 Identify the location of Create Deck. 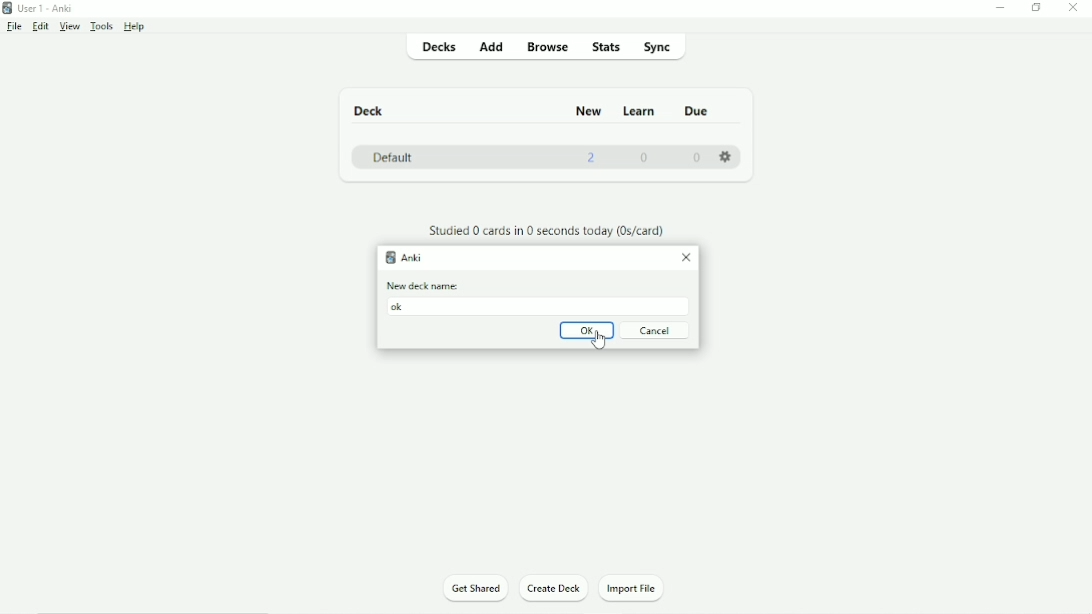
(555, 589).